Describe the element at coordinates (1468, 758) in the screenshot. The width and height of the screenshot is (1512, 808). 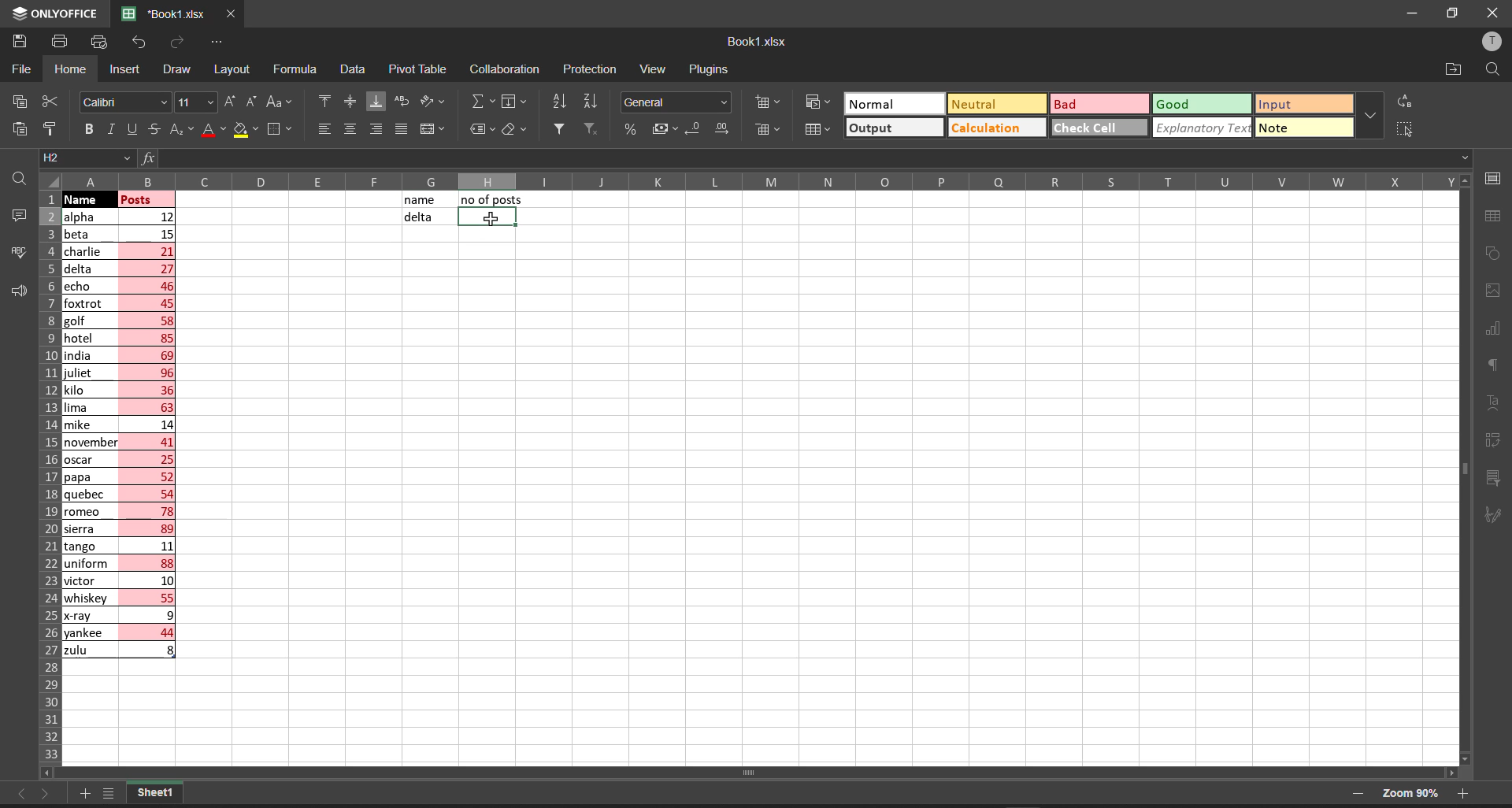
I see `scroll down` at that location.